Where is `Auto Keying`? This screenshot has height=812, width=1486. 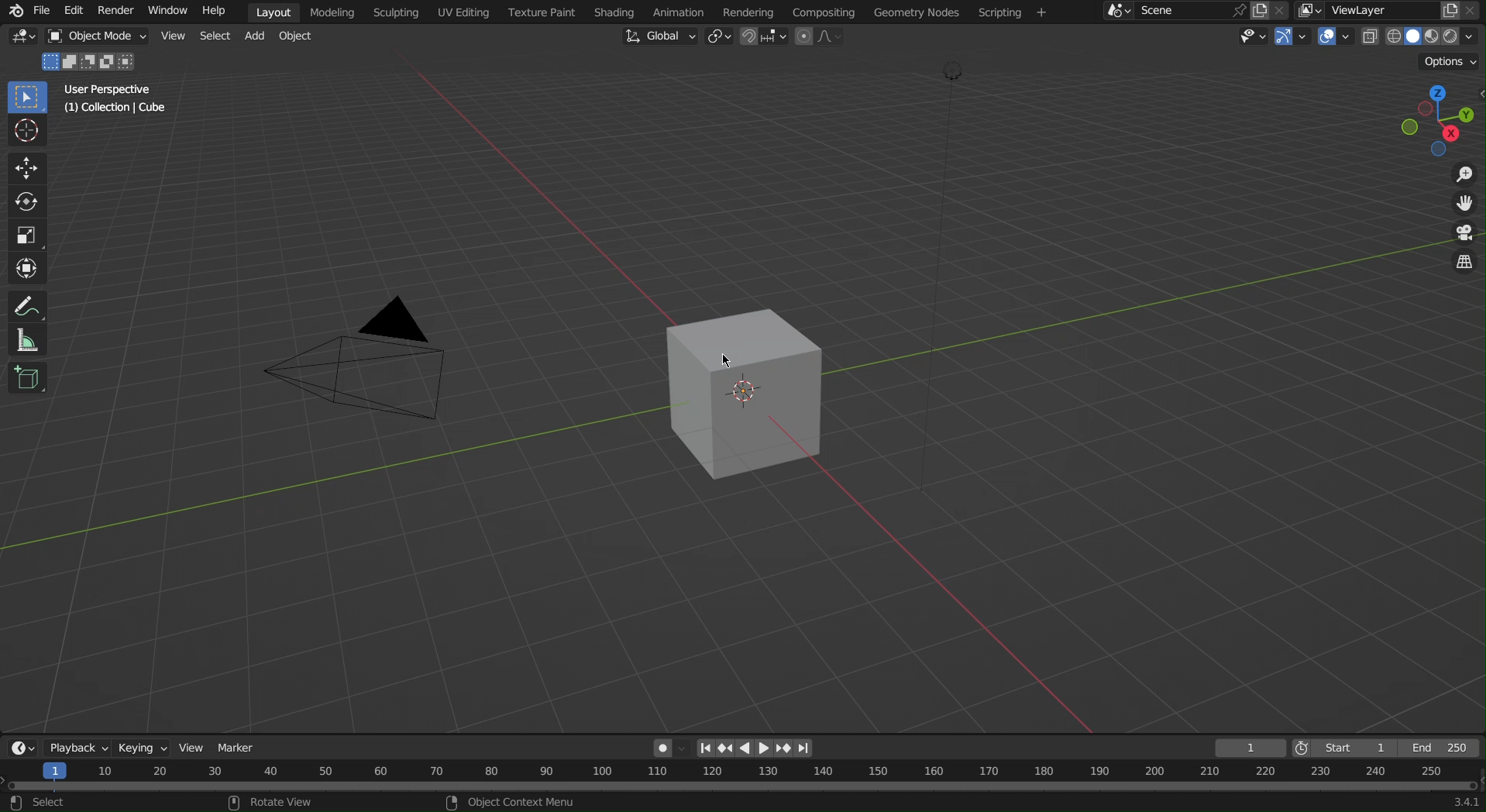
Auto Keying is located at coordinates (662, 745).